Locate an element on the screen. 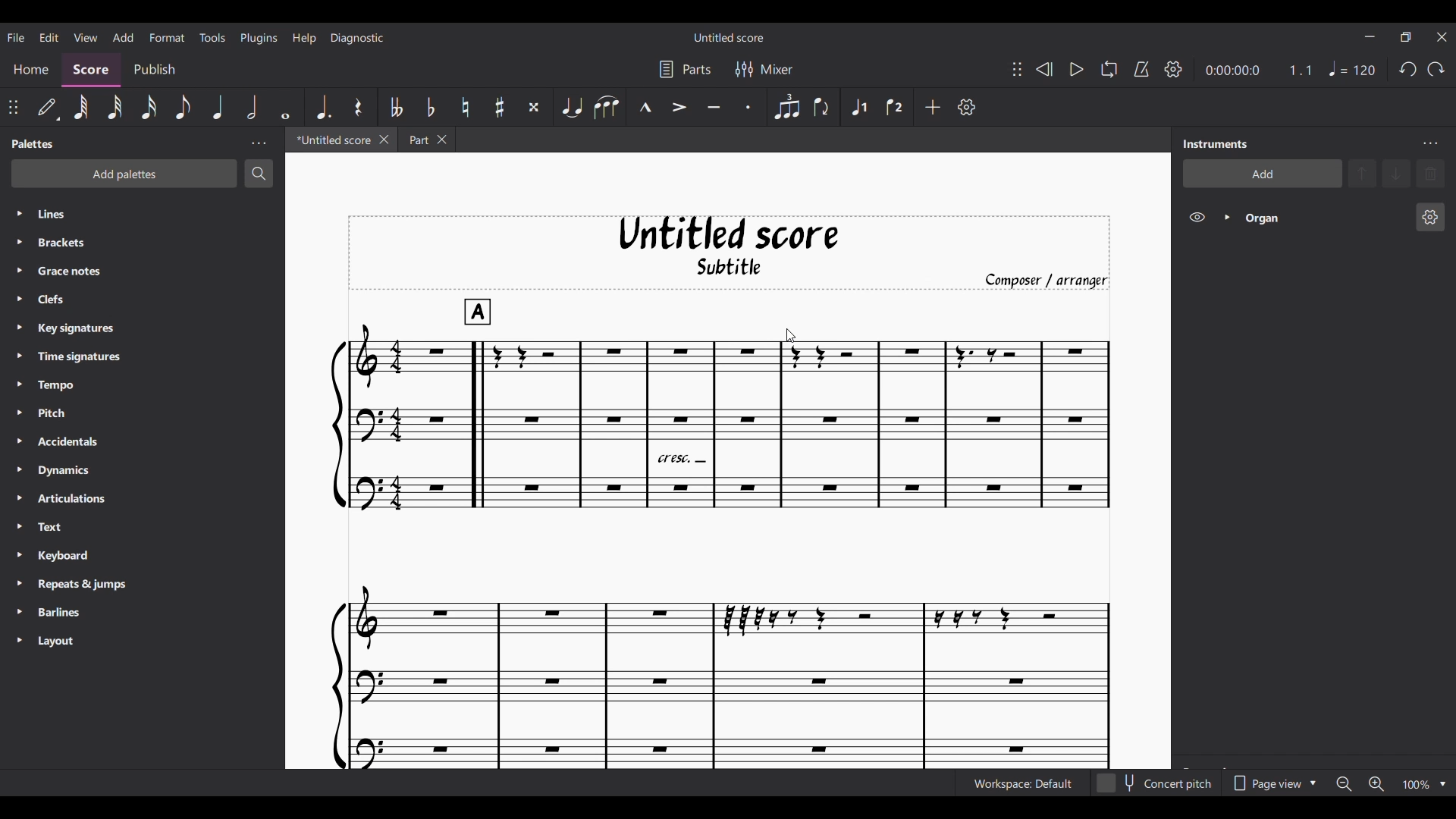 The height and width of the screenshot is (819, 1456). Current tab, highlighted is located at coordinates (332, 140).